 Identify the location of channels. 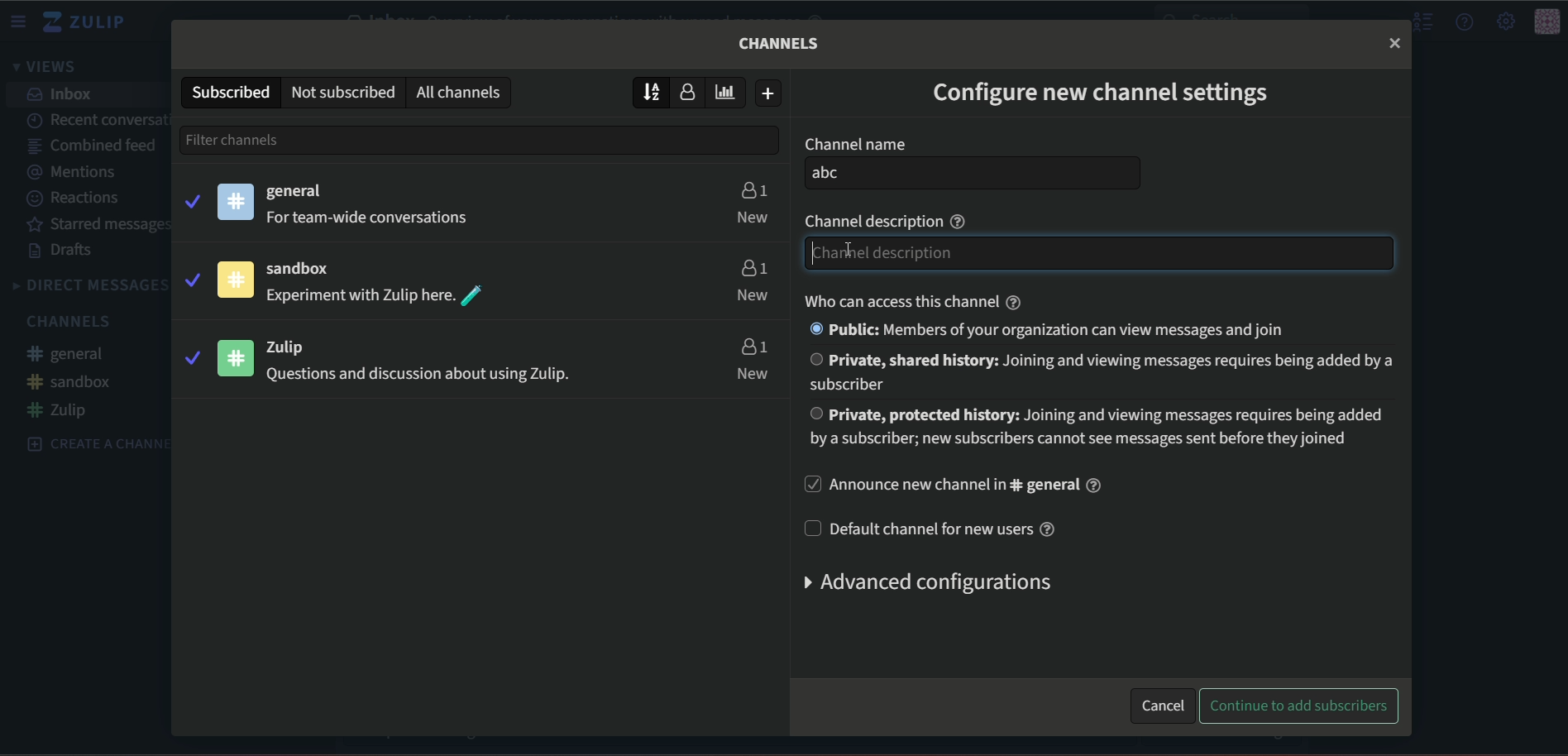
(781, 43).